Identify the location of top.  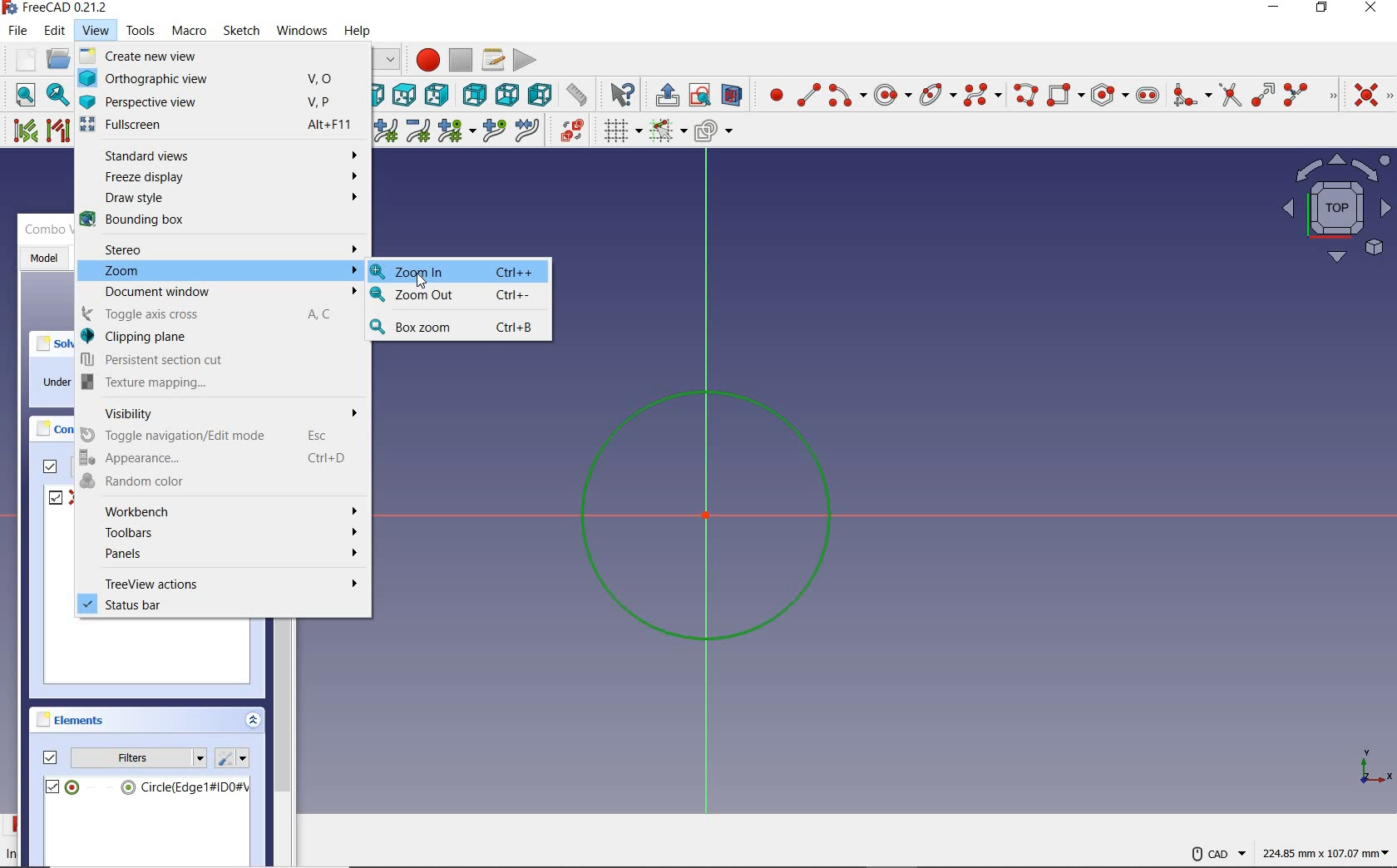
(404, 93).